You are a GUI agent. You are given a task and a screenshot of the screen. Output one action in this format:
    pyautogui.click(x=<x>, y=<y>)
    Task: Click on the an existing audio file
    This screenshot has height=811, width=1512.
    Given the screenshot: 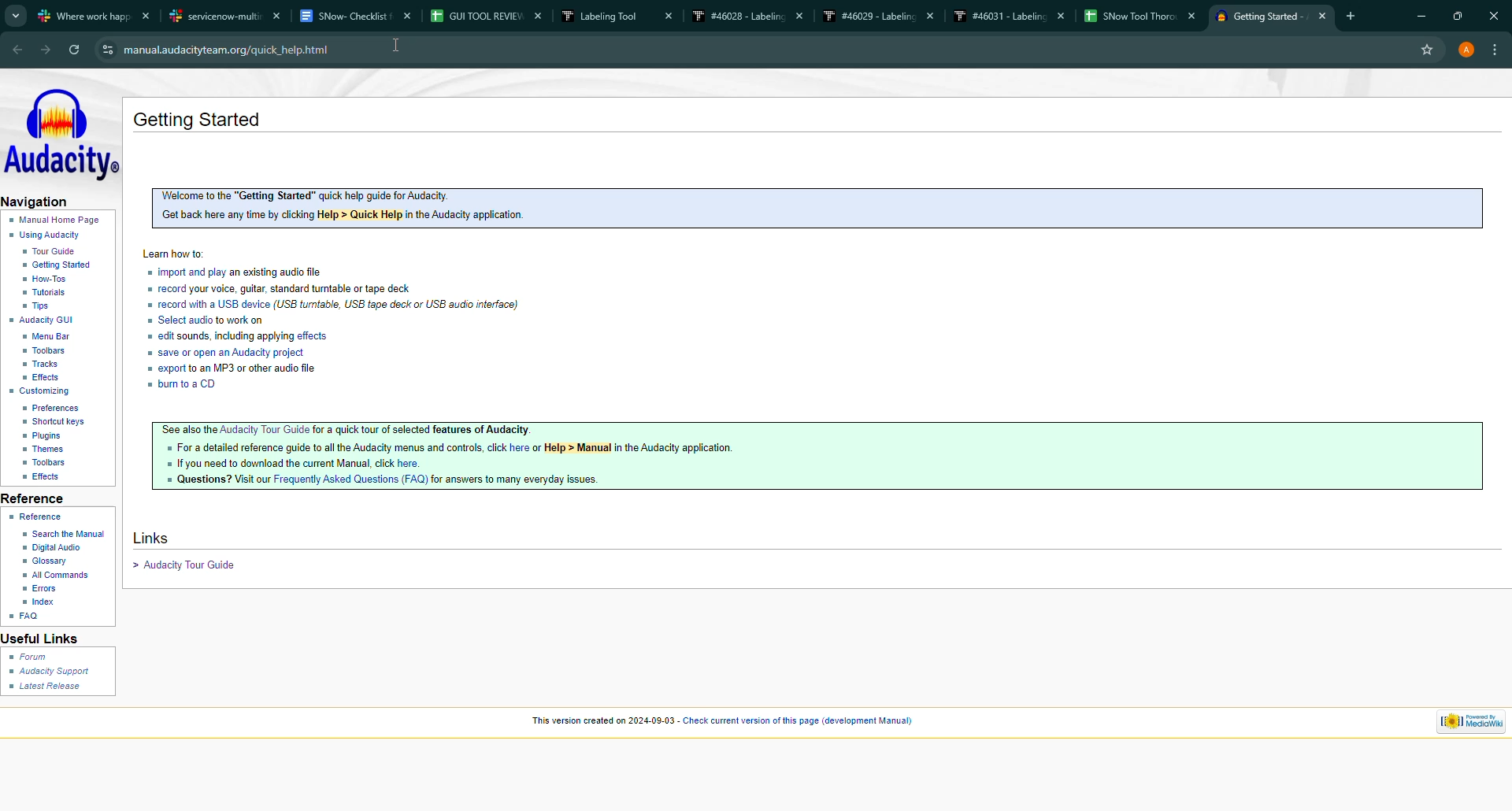 What is the action you would take?
    pyautogui.click(x=290, y=271)
    